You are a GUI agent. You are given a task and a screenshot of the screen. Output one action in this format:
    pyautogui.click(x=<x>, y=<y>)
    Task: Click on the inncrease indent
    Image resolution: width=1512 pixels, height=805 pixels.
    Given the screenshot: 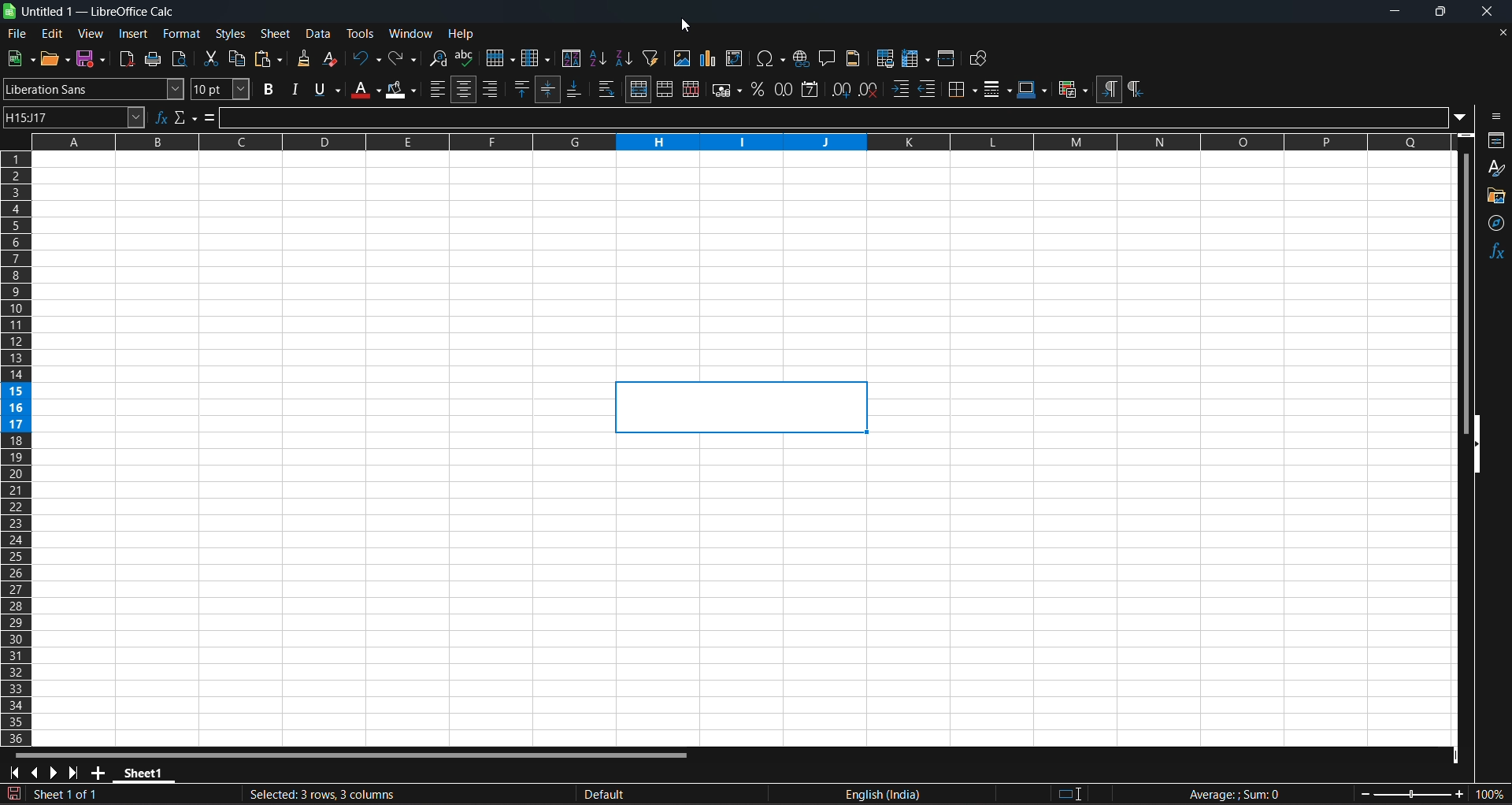 What is the action you would take?
    pyautogui.click(x=902, y=89)
    